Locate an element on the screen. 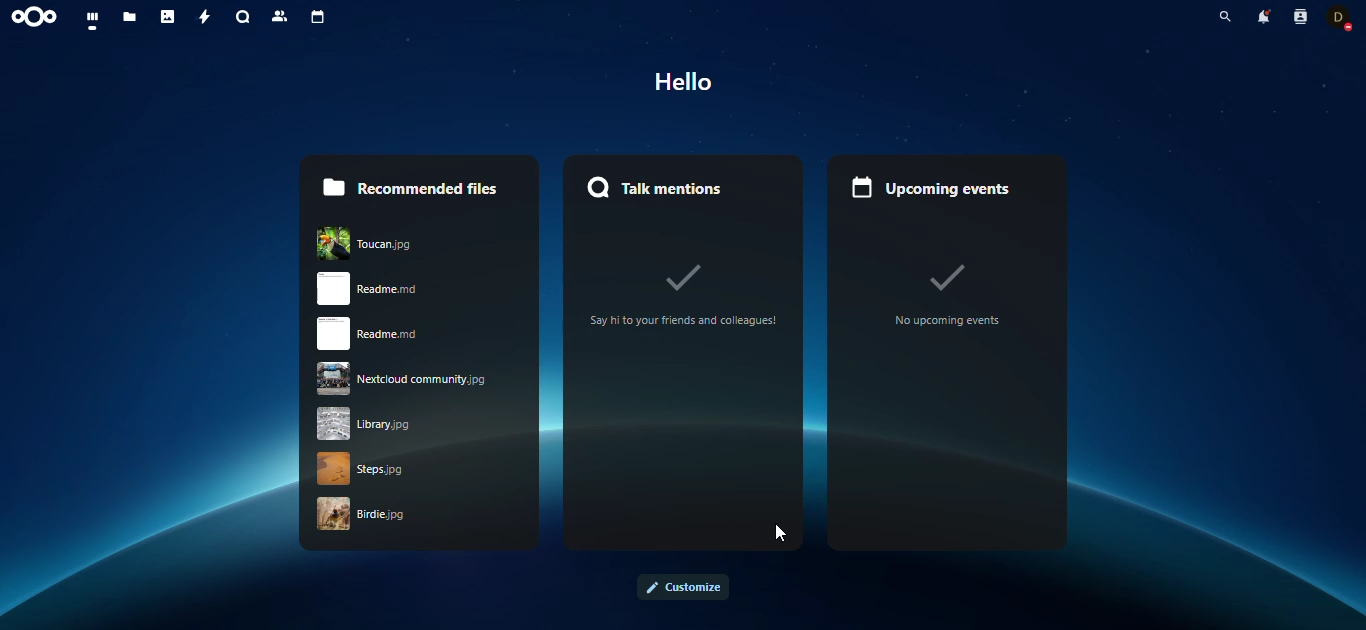 This screenshot has height=630, width=1366. nextcloud is located at coordinates (38, 17).